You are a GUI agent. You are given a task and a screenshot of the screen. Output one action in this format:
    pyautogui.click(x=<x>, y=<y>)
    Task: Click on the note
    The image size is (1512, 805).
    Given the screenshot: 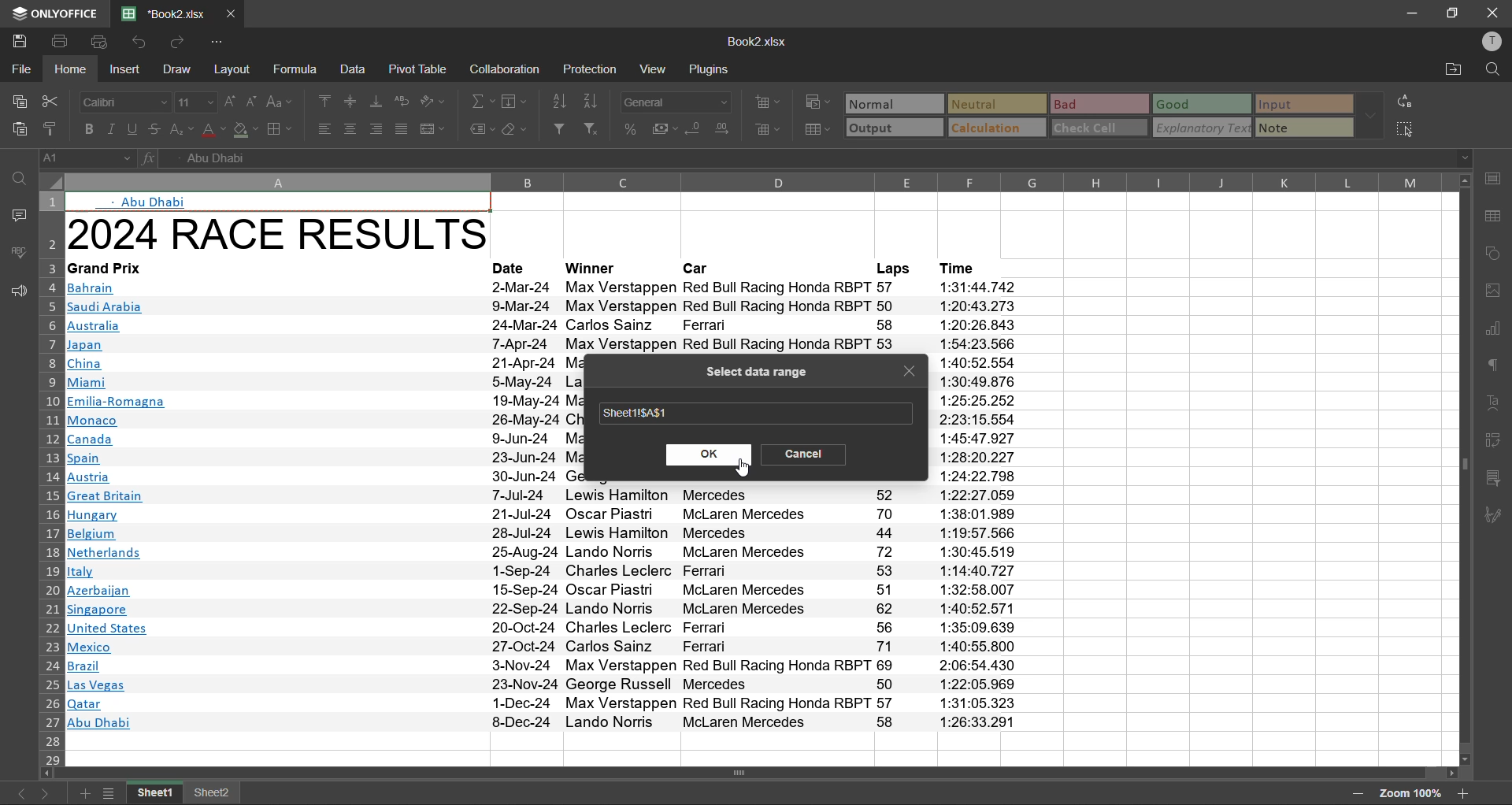 What is the action you would take?
    pyautogui.click(x=1291, y=129)
    